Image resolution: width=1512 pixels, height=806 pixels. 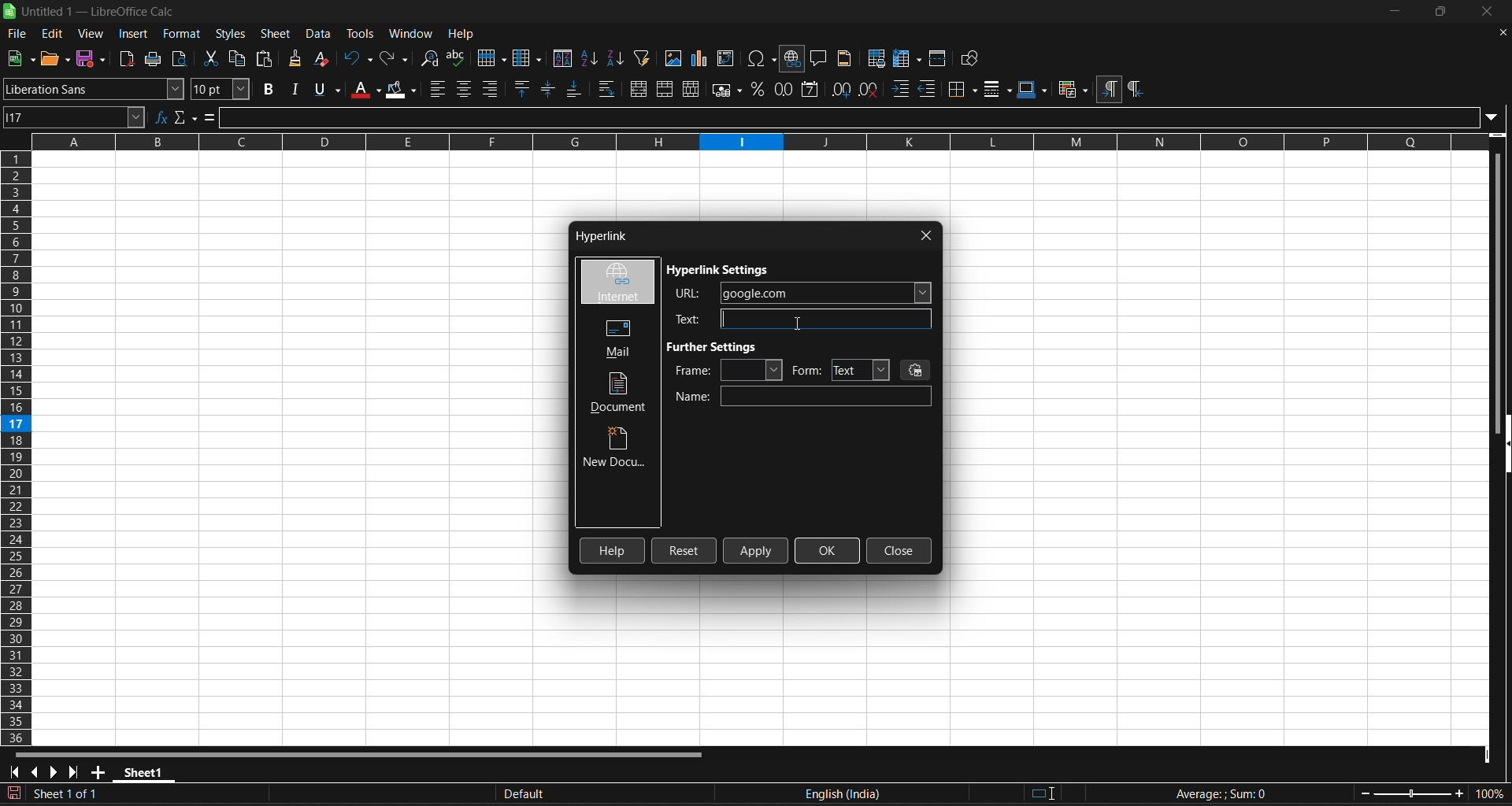 What do you see at coordinates (20, 59) in the screenshot?
I see `save` at bounding box center [20, 59].